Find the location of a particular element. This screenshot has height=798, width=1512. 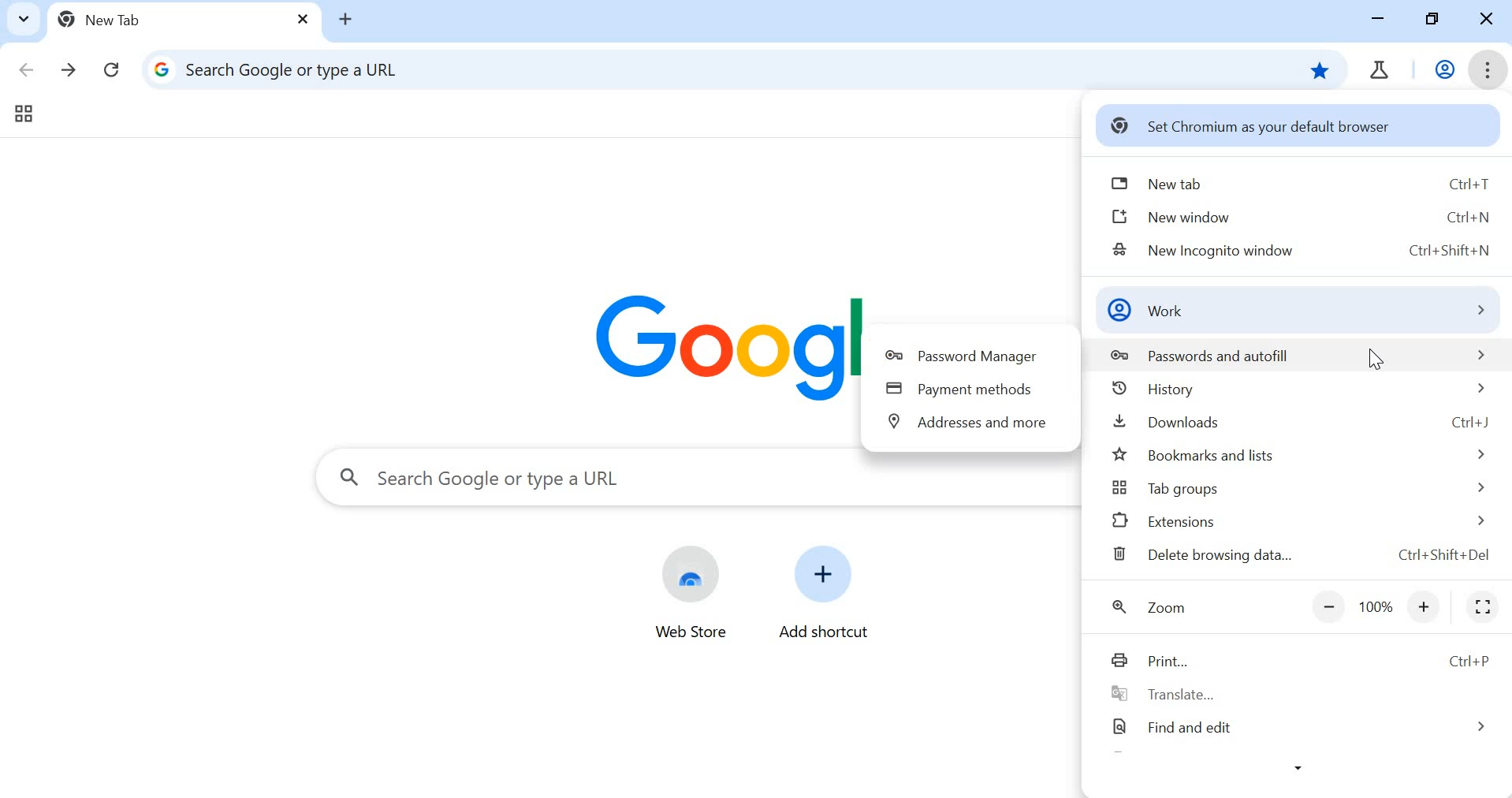

payment methods is located at coordinates (966, 391).